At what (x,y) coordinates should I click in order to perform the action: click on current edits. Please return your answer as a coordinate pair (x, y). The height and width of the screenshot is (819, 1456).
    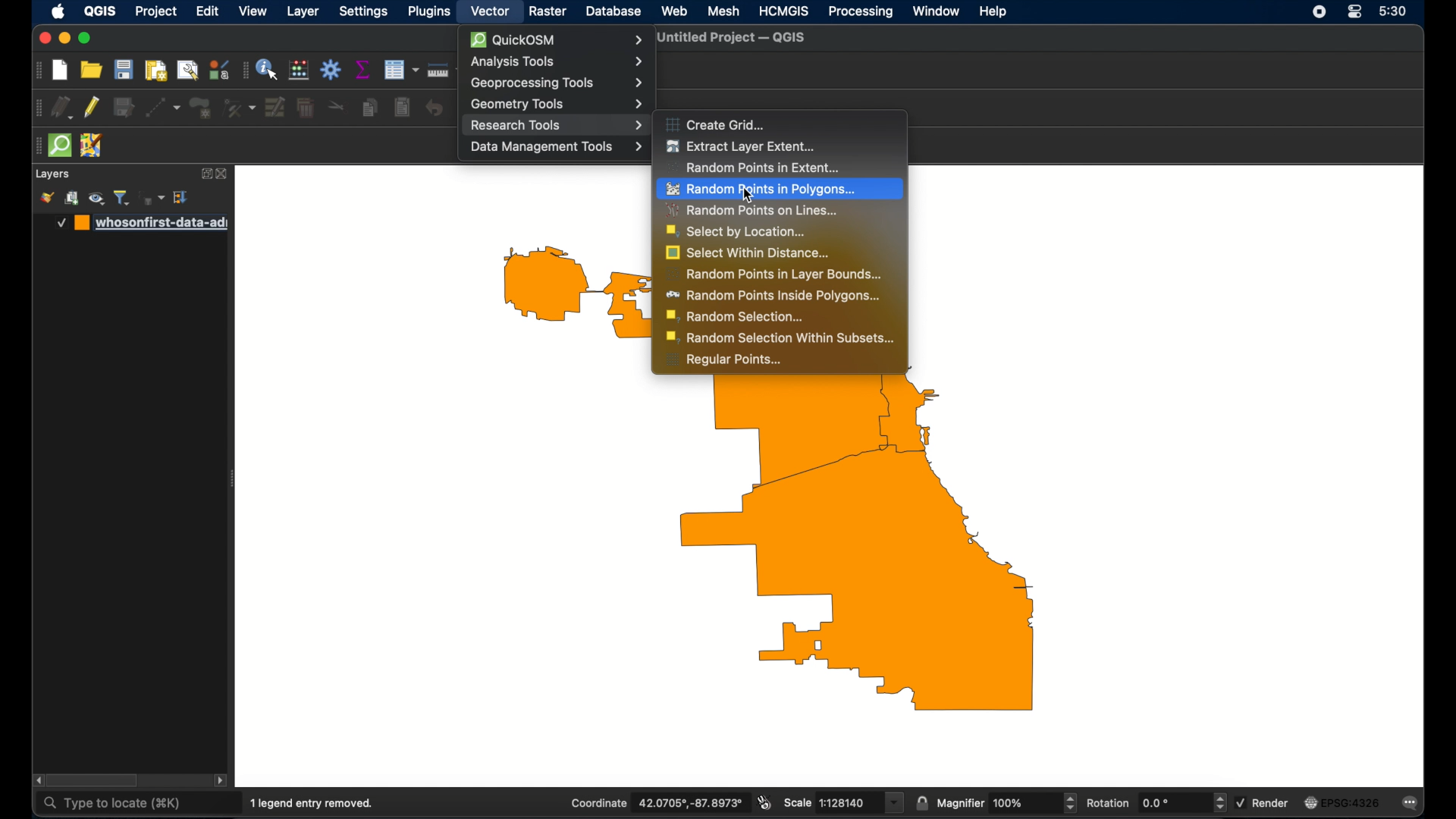
    Looking at the image, I should click on (61, 108).